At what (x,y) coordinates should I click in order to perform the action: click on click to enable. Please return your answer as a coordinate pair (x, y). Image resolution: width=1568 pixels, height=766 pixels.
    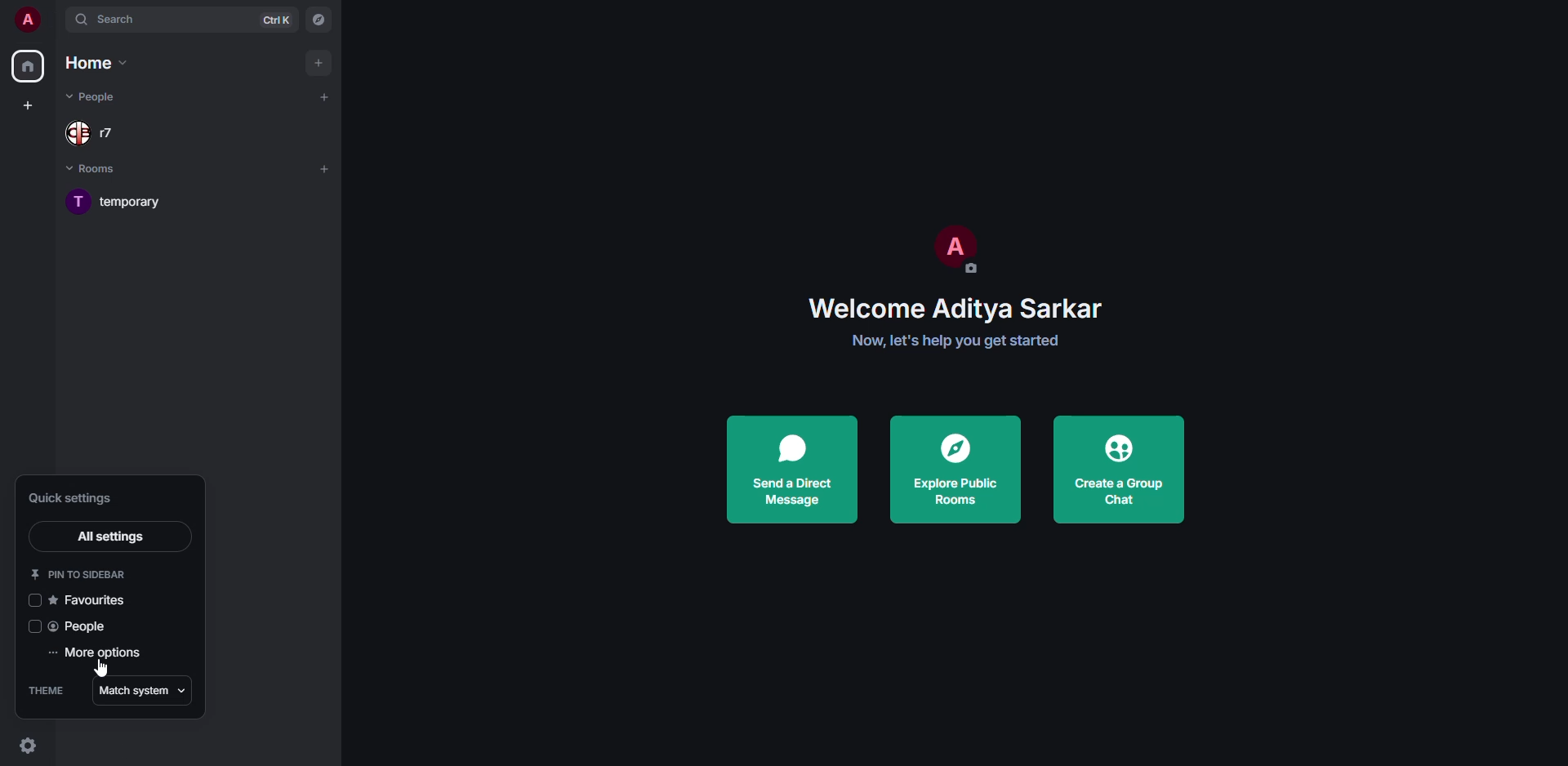
    Looking at the image, I should click on (37, 598).